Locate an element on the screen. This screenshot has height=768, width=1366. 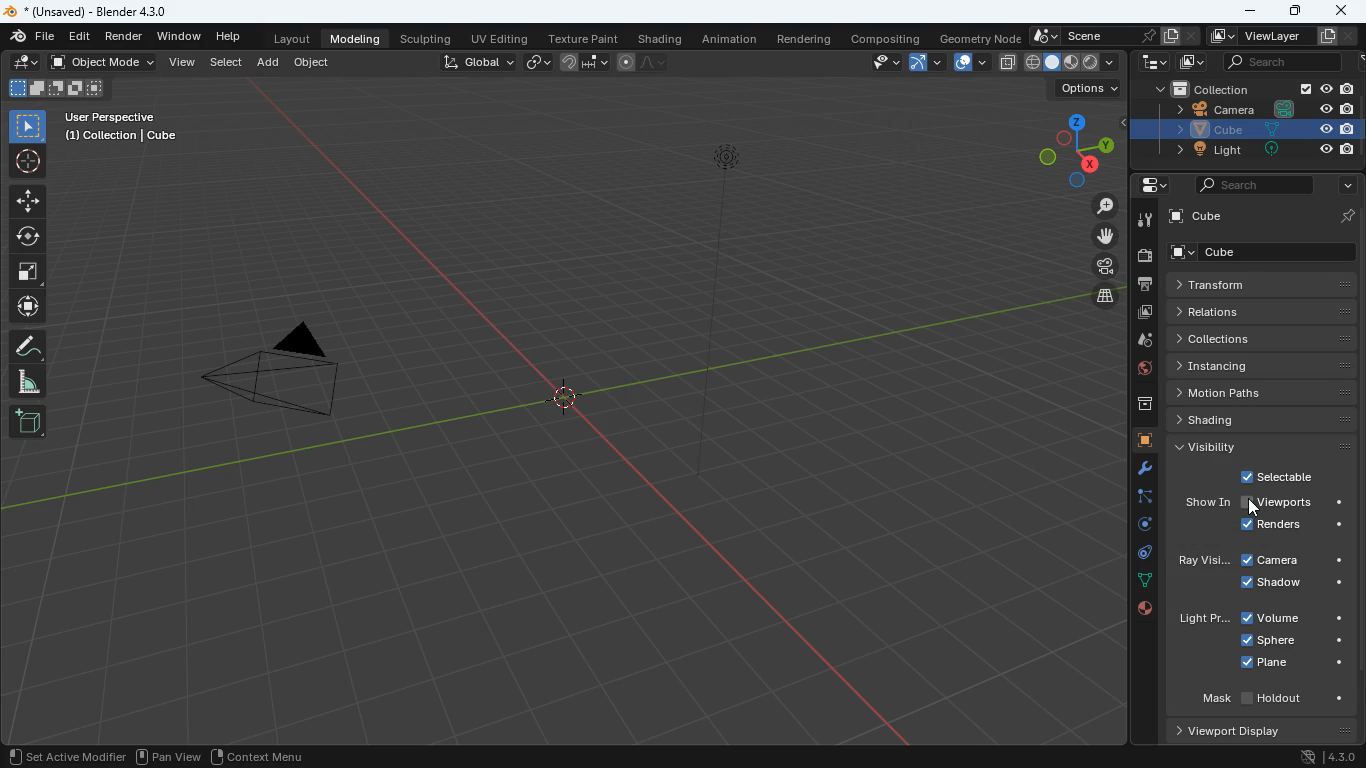
link is located at coordinates (537, 61).